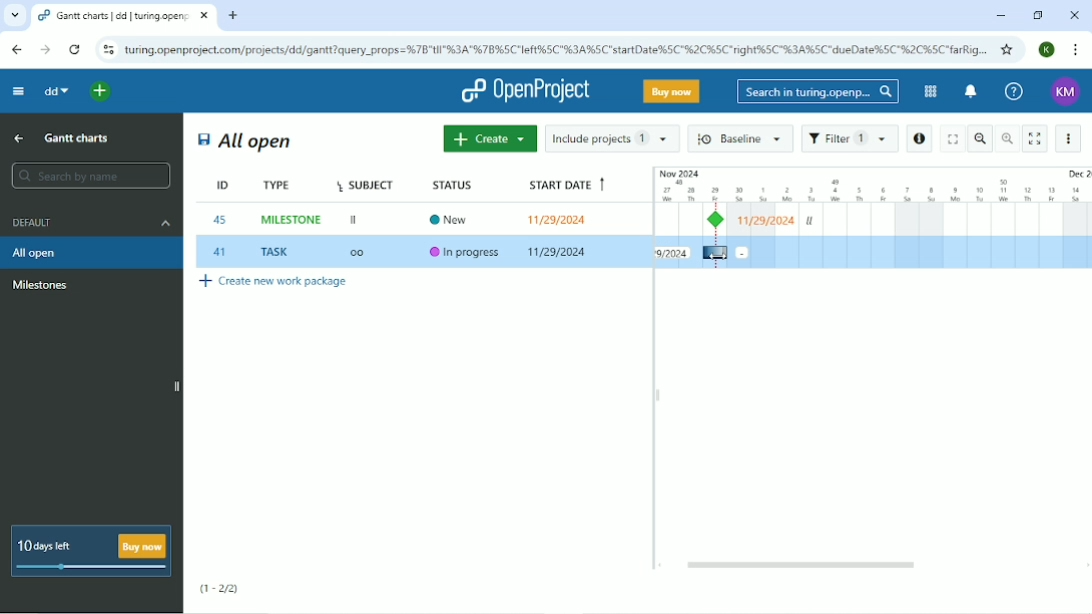 The image size is (1092, 614). Describe the element at coordinates (89, 175) in the screenshot. I see `Search by name` at that location.